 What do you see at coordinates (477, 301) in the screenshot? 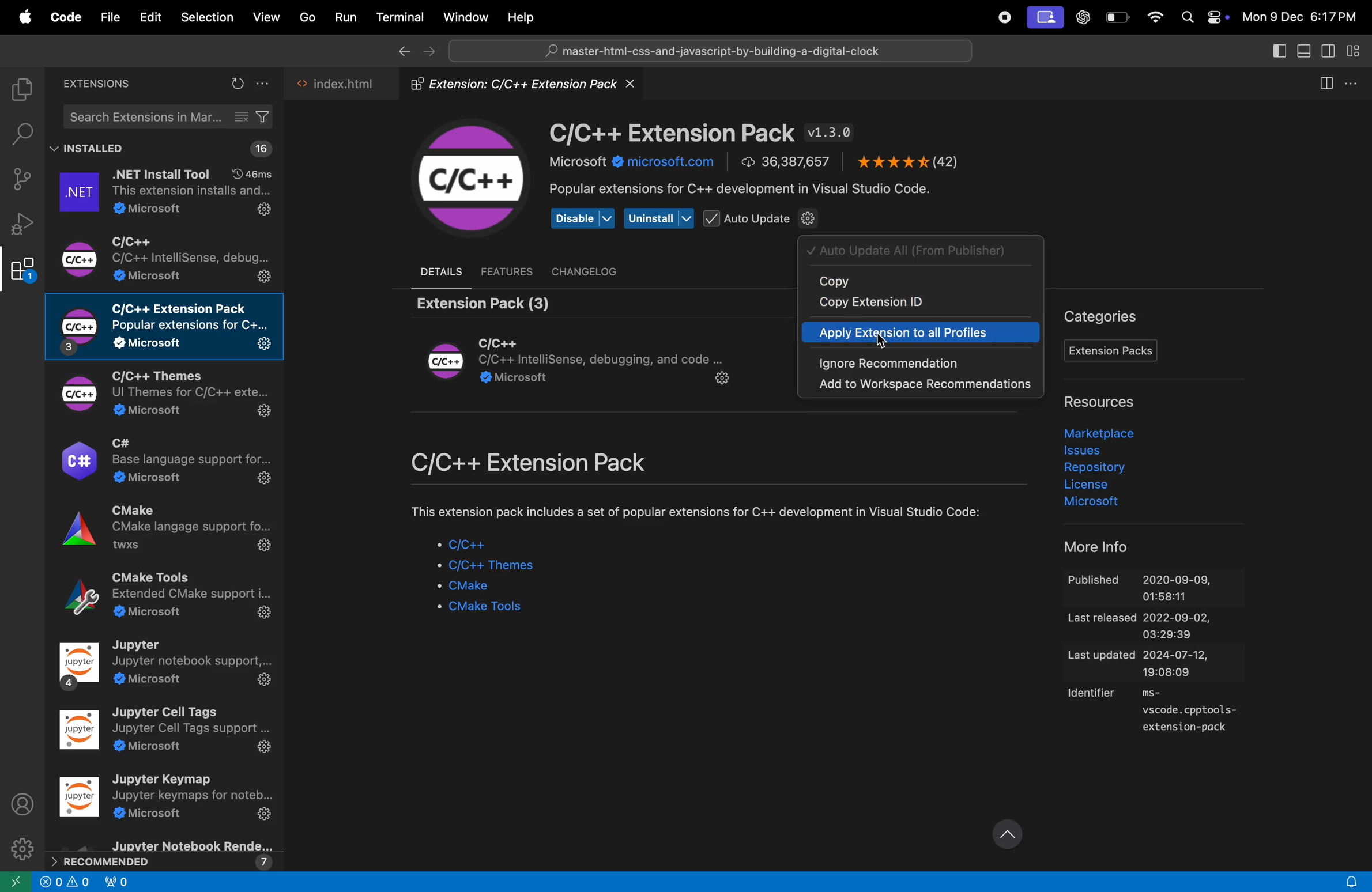
I see `extension pack (3)` at bounding box center [477, 301].